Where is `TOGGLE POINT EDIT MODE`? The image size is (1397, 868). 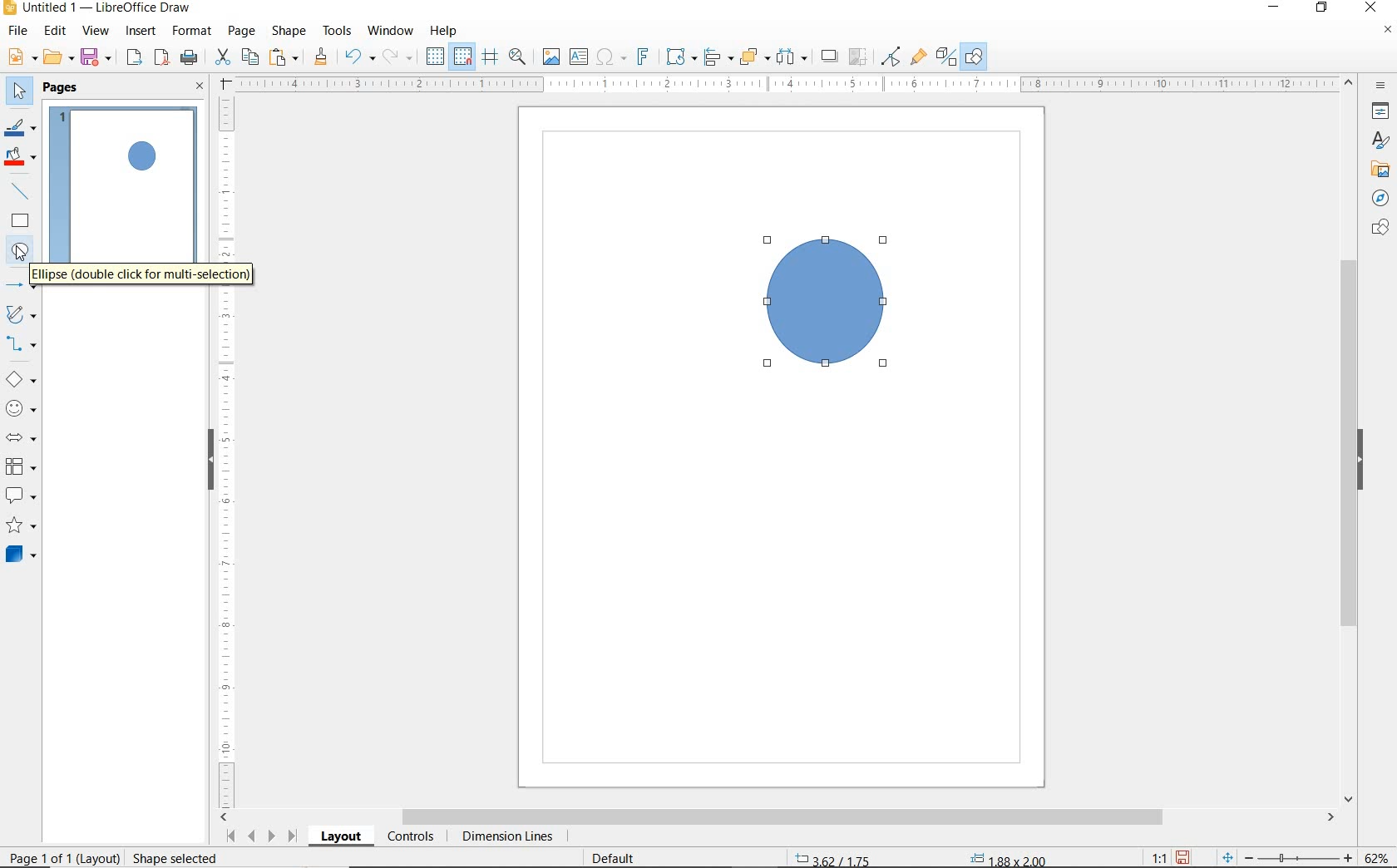 TOGGLE POINT EDIT MODE is located at coordinates (891, 57).